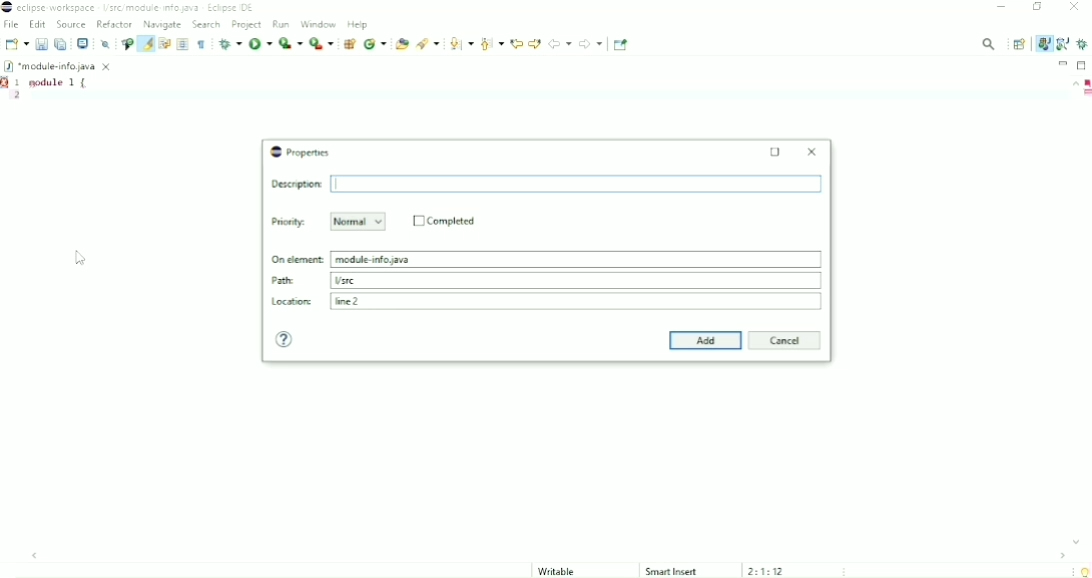 This screenshot has height=578, width=1092. I want to click on Smart Insert, so click(672, 571).